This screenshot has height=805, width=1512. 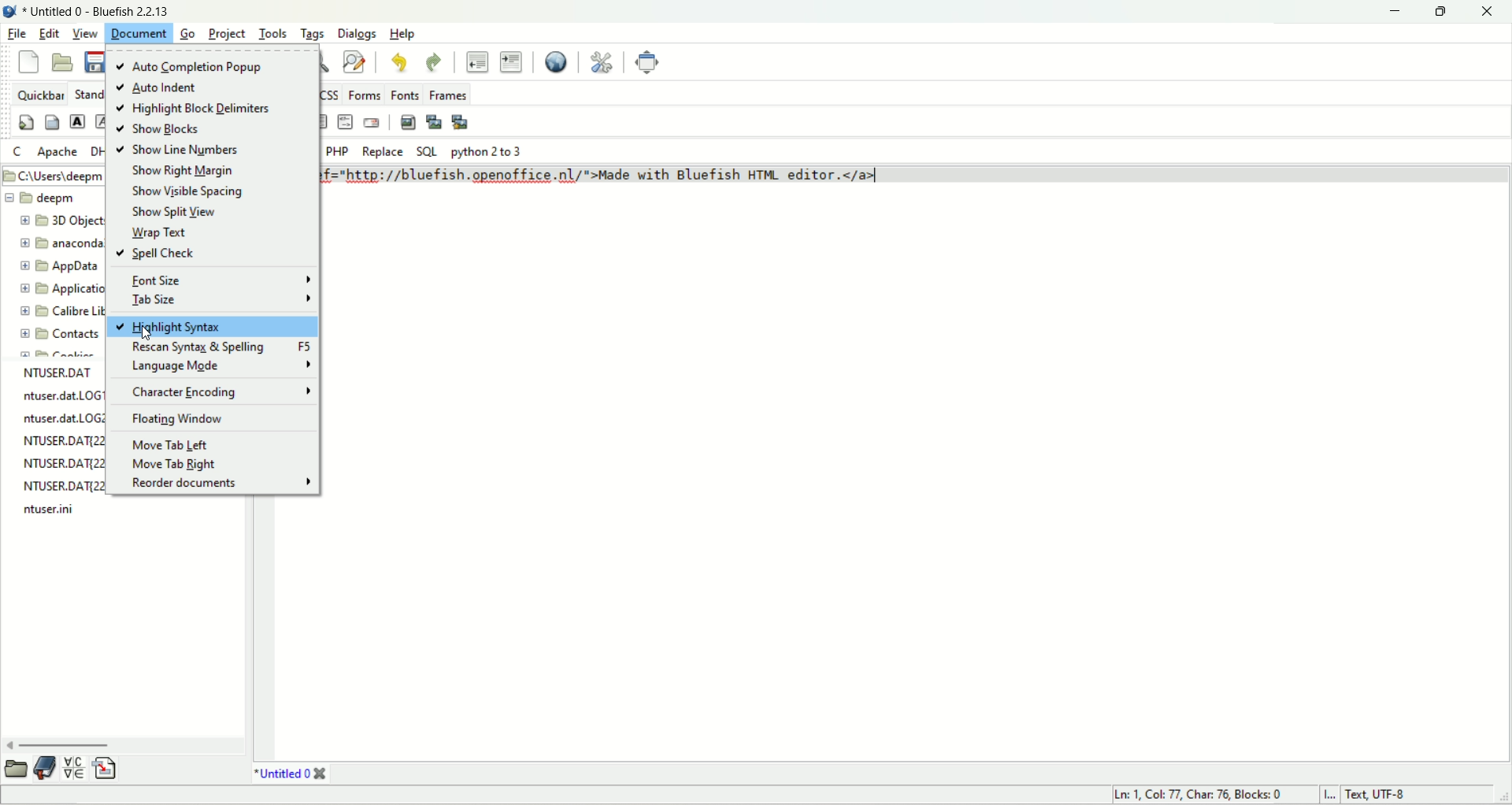 What do you see at coordinates (61, 220) in the screenshot?
I see `3D object` at bounding box center [61, 220].